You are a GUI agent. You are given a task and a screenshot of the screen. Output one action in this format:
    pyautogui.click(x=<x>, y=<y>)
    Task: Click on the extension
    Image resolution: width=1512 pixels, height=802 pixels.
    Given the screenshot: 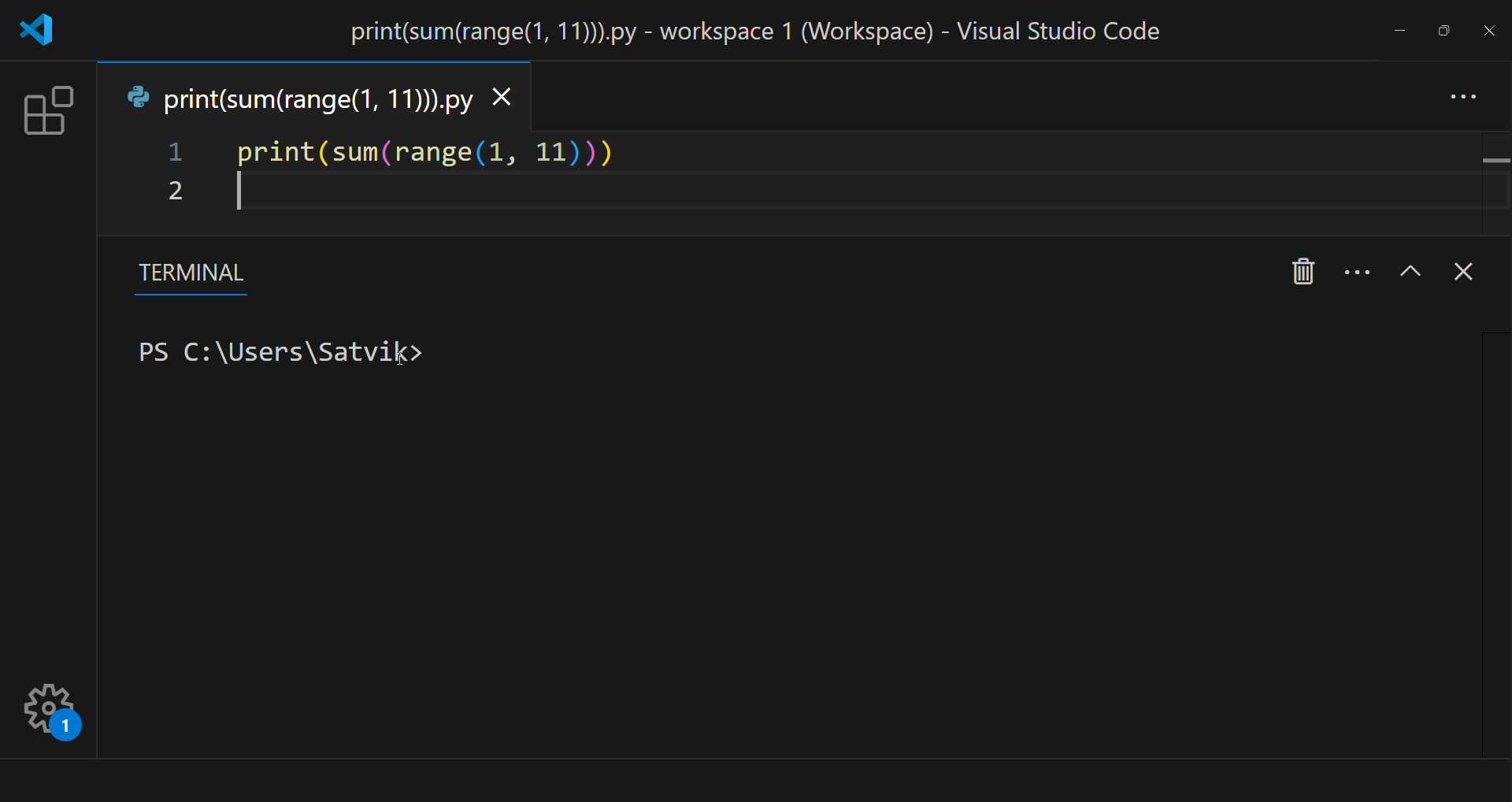 What is the action you would take?
    pyautogui.click(x=43, y=113)
    